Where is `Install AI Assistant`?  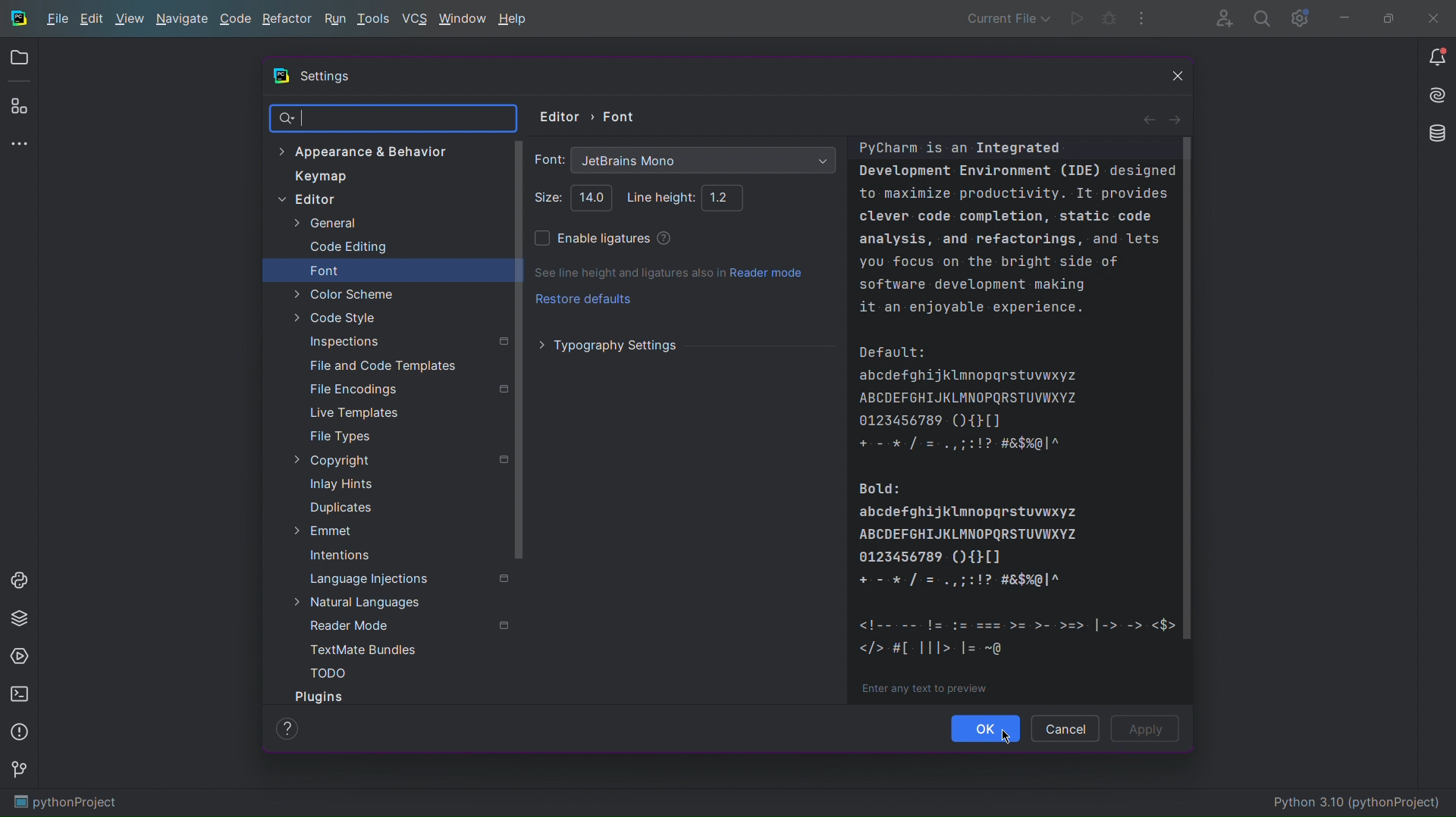
Install AI Assistant is located at coordinates (1432, 98).